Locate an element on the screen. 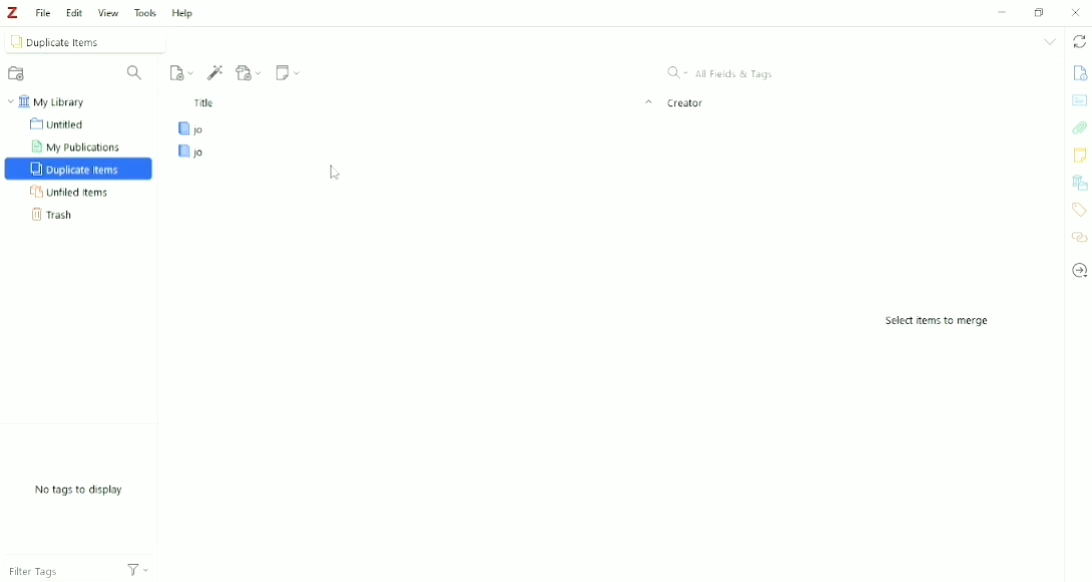  Logo is located at coordinates (14, 13).